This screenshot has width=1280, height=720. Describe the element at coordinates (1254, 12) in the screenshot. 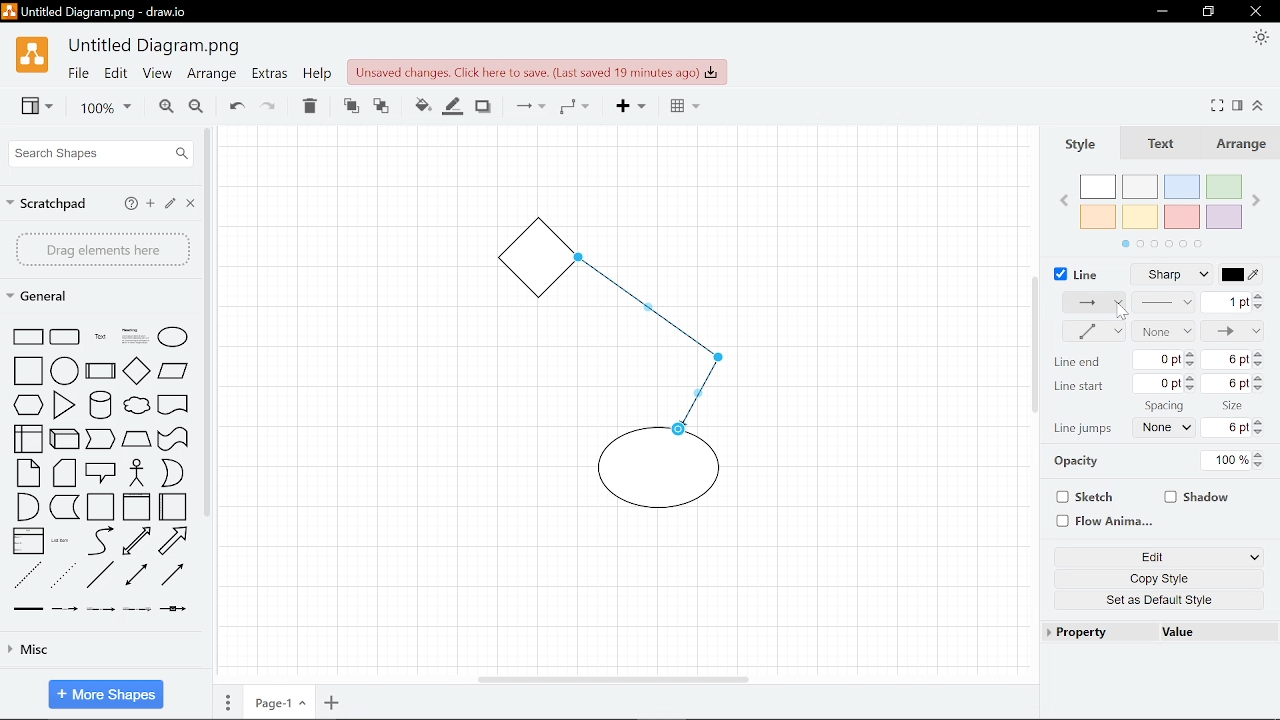

I see `close` at that location.